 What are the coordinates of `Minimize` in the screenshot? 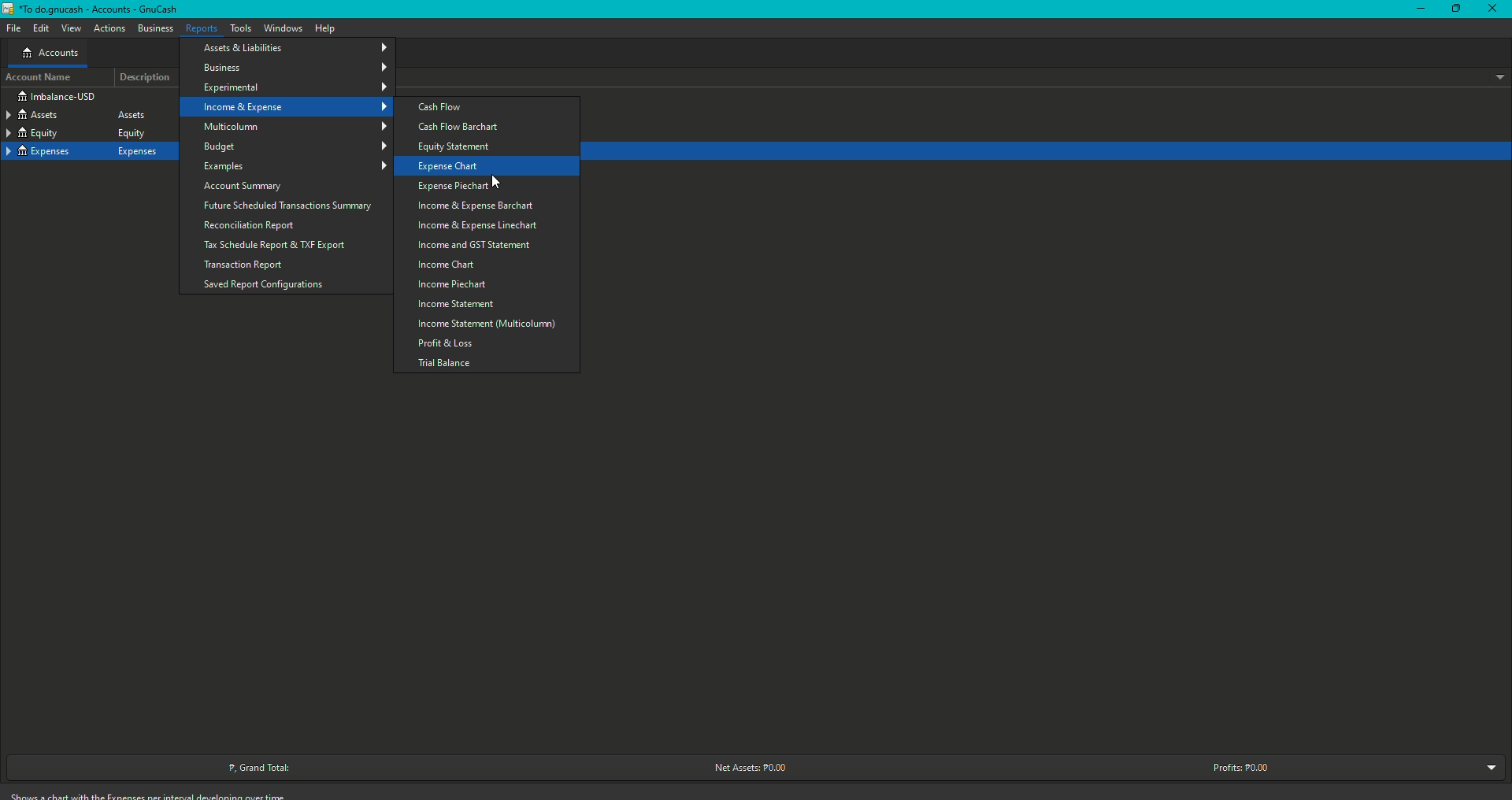 It's located at (1417, 10).